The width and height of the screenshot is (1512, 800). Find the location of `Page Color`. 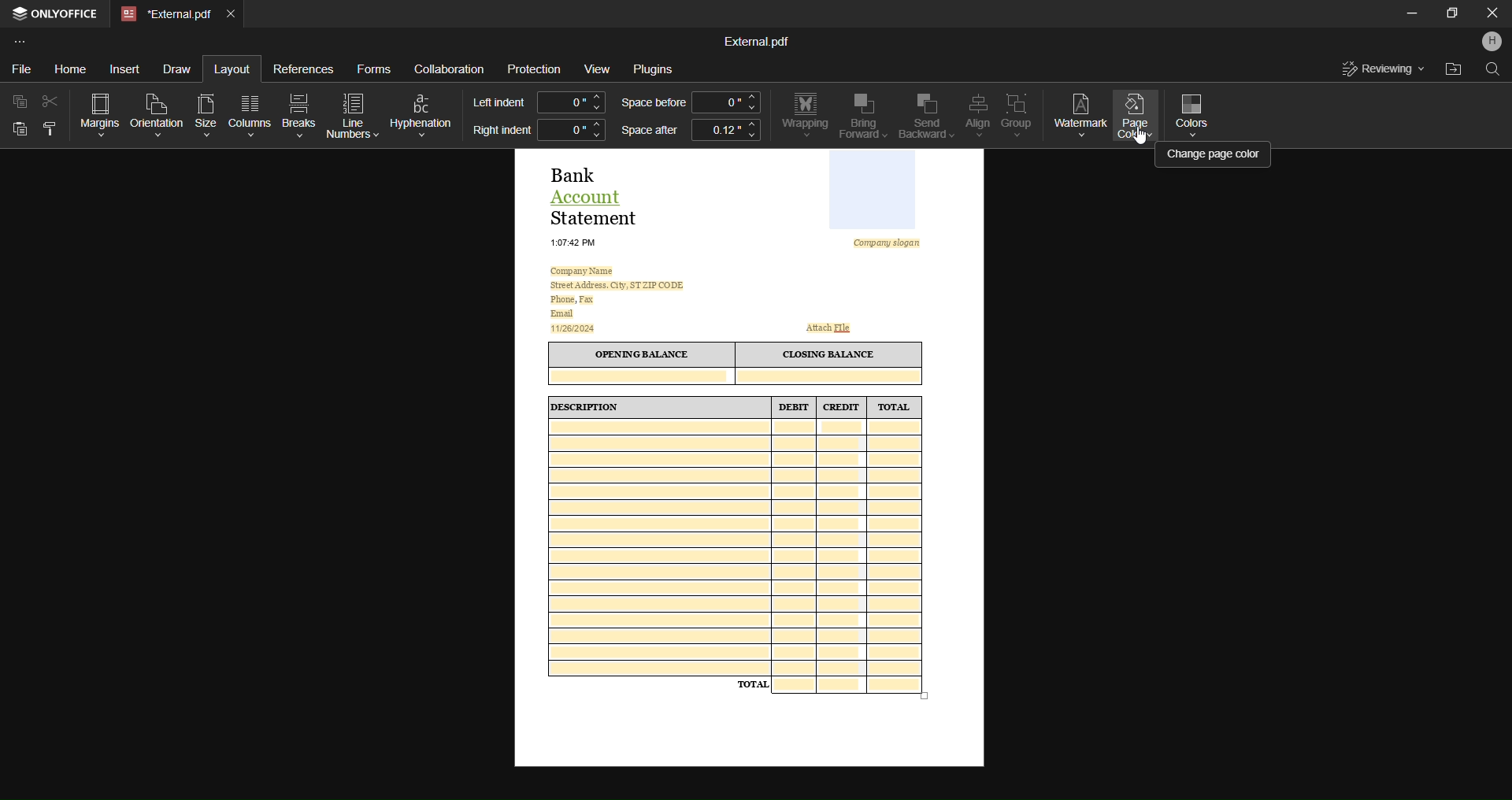

Page Color is located at coordinates (1136, 119).